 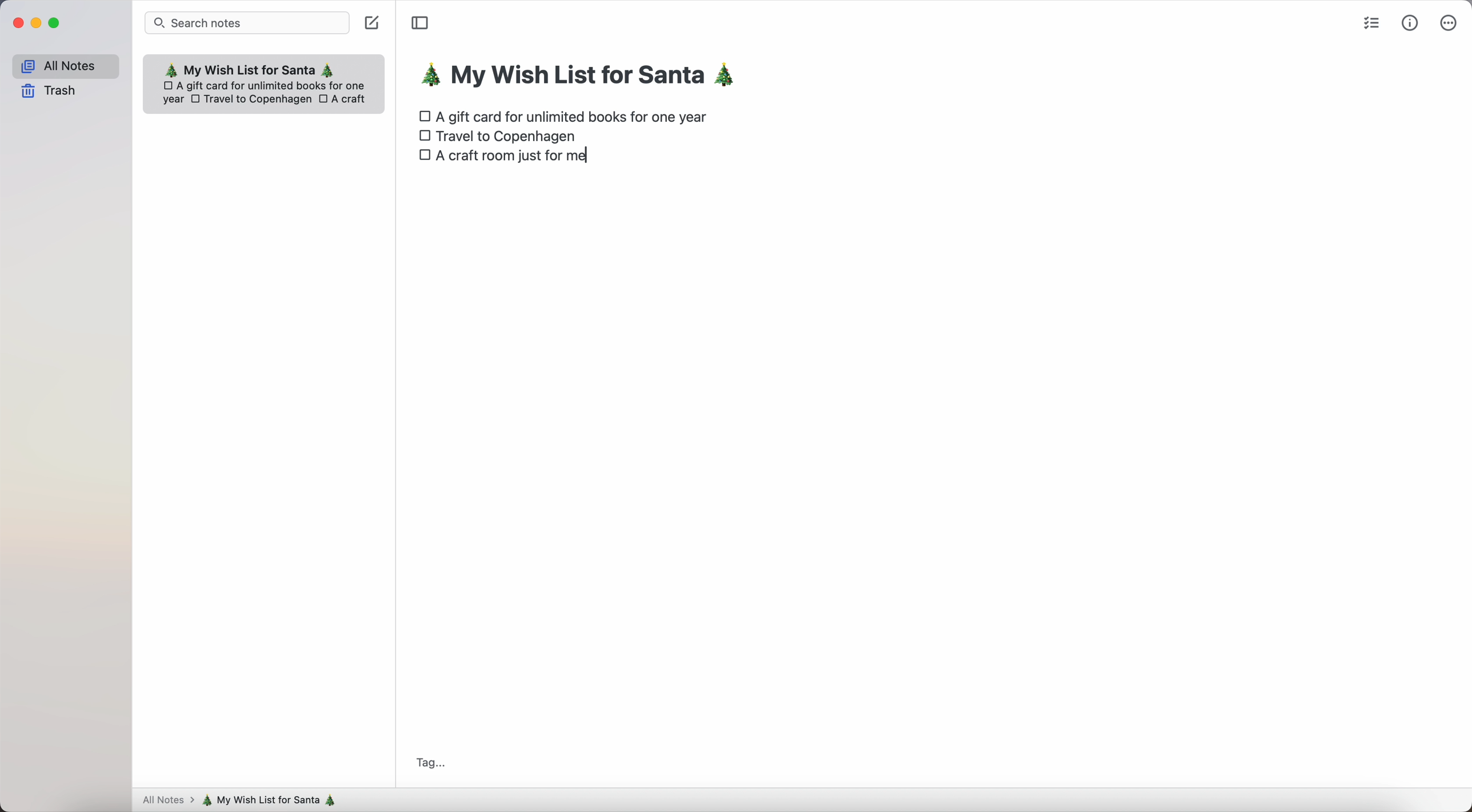 What do you see at coordinates (374, 25) in the screenshot?
I see `create note` at bounding box center [374, 25].